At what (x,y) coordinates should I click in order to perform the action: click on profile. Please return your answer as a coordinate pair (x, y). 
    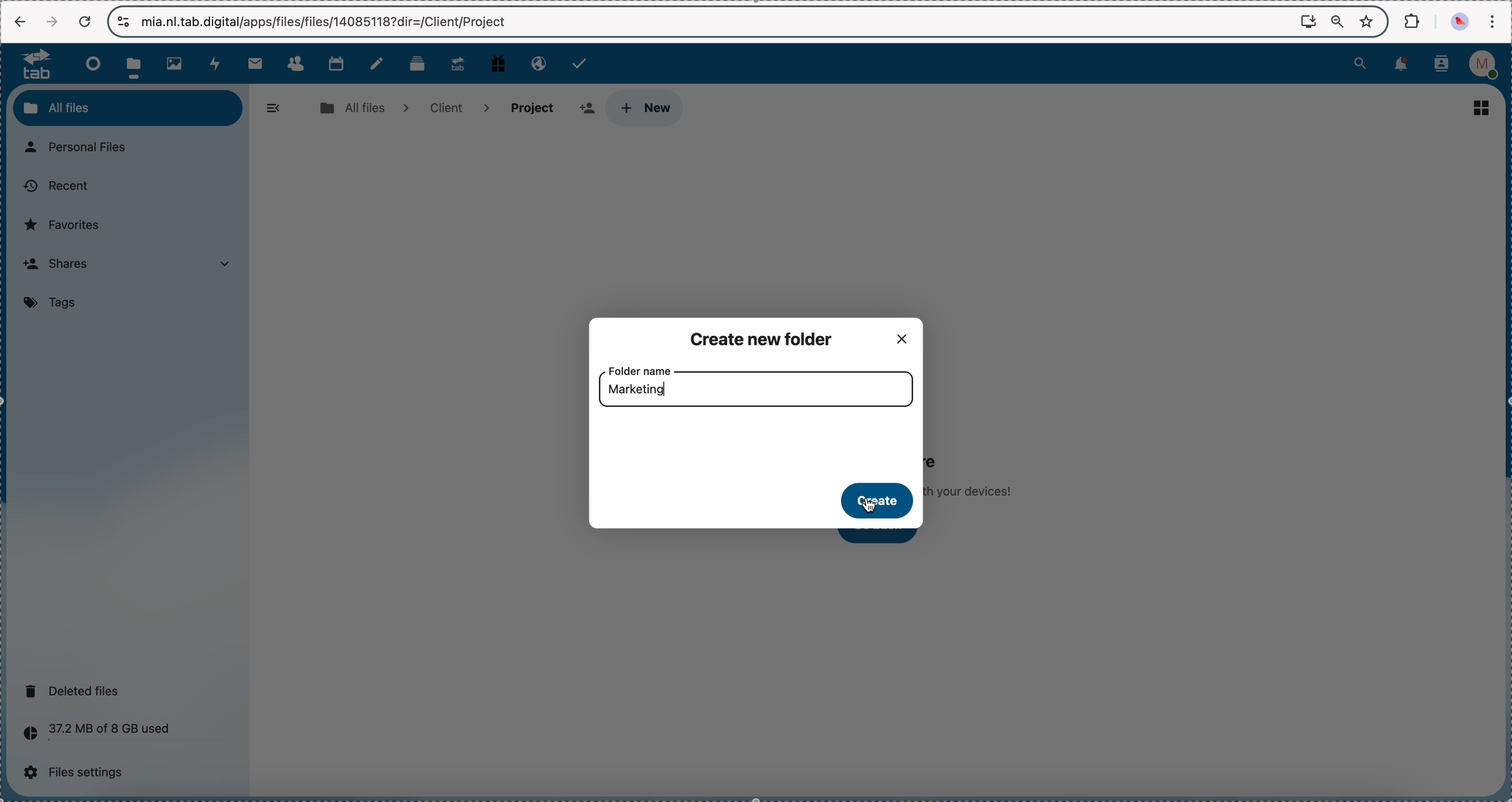
    Looking at the image, I should click on (1487, 65).